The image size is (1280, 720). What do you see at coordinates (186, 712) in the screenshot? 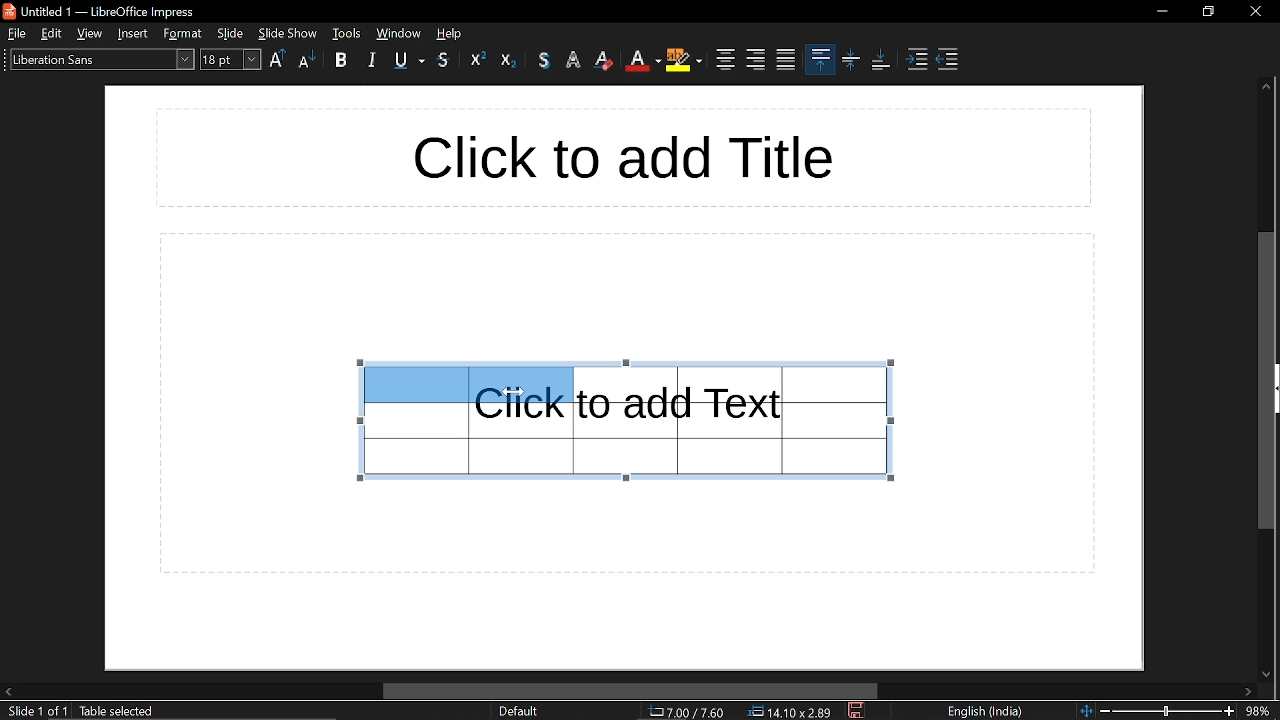
I see `text: edit paragraph 1, row 1, column 1` at bounding box center [186, 712].